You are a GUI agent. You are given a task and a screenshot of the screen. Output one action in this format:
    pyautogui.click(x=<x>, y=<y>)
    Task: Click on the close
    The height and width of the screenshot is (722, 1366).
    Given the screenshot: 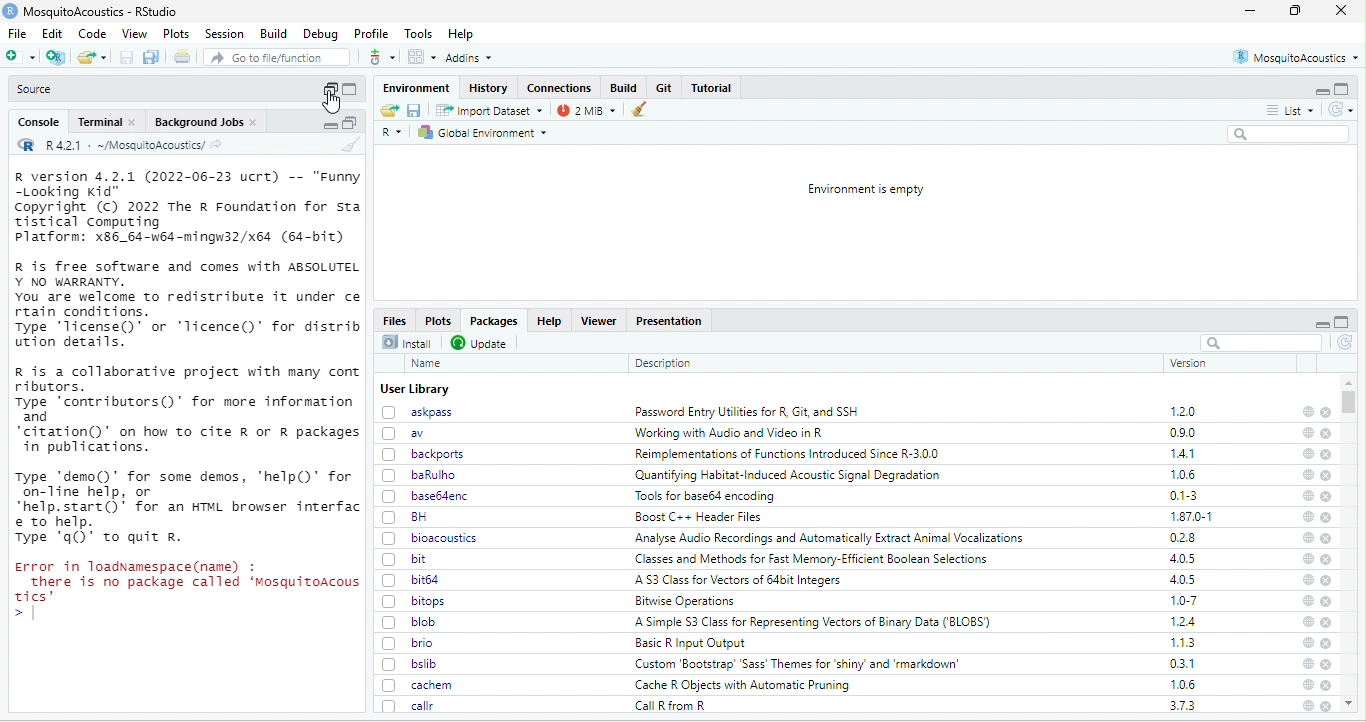 What is the action you would take?
    pyautogui.click(x=1327, y=622)
    